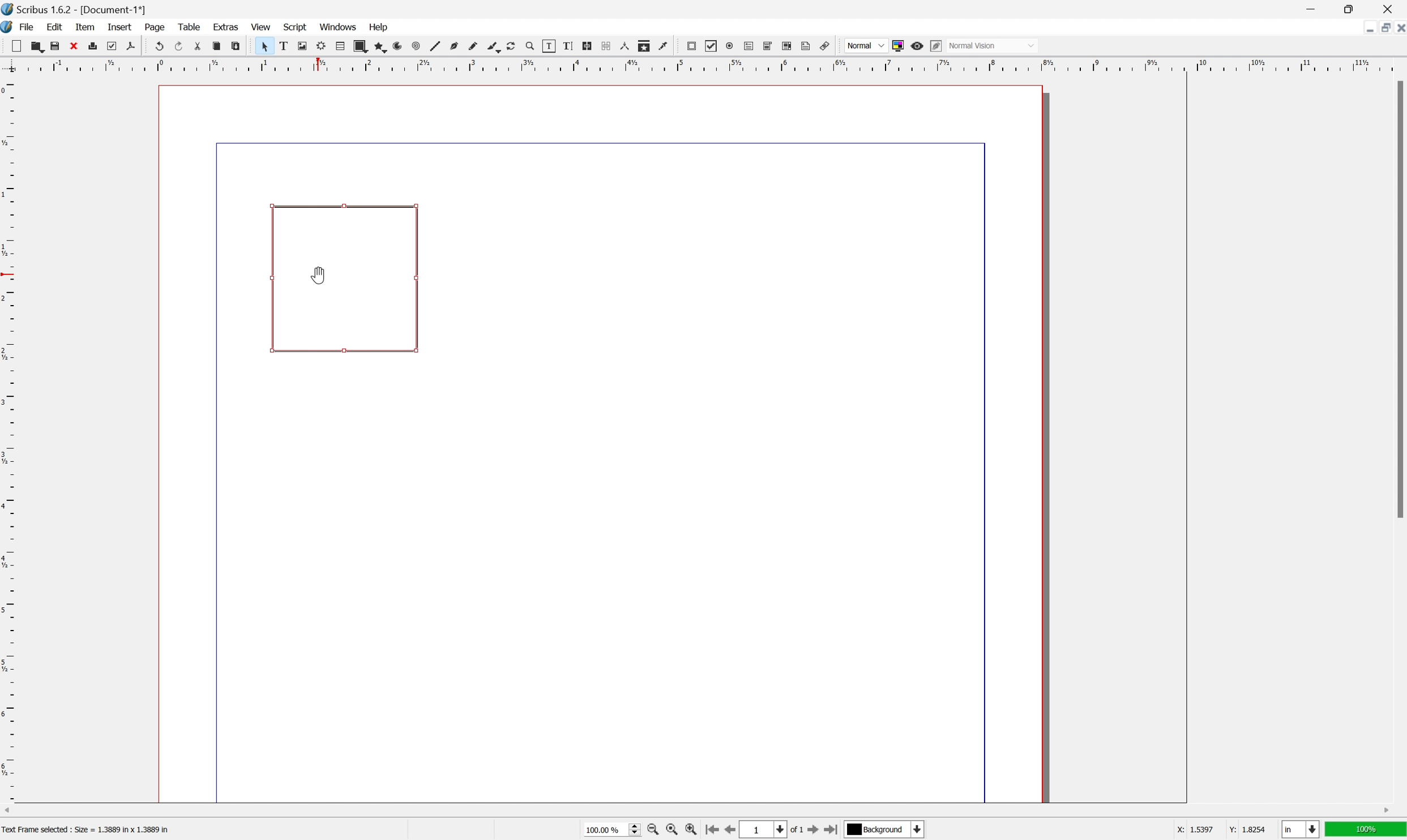  Describe the element at coordinates (87, 829) in the screenshot. I see `Text frame selected : Size = 1.3889 in × 1.3889 in` at that location.